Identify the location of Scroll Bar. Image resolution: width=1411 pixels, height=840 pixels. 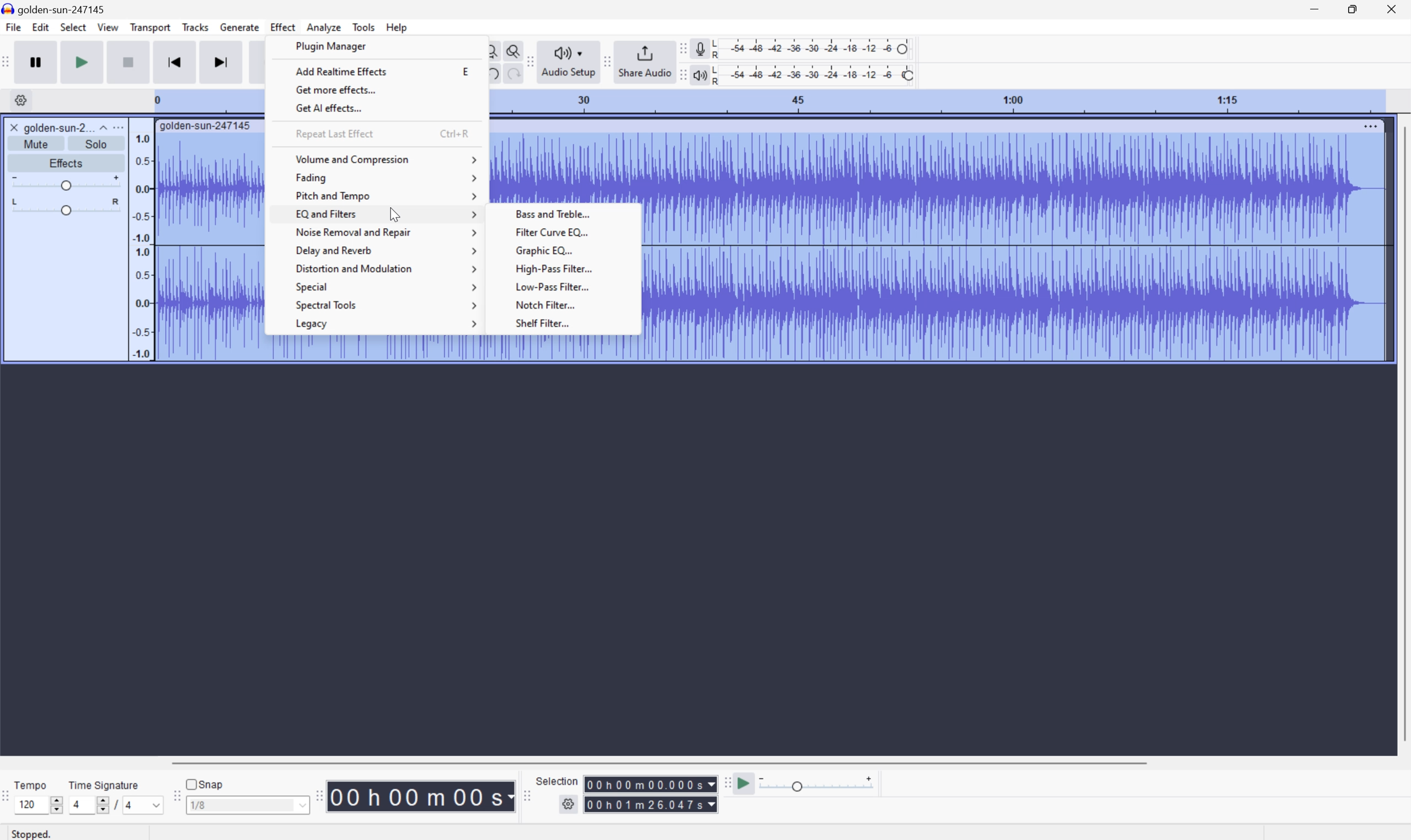
(659, 762).